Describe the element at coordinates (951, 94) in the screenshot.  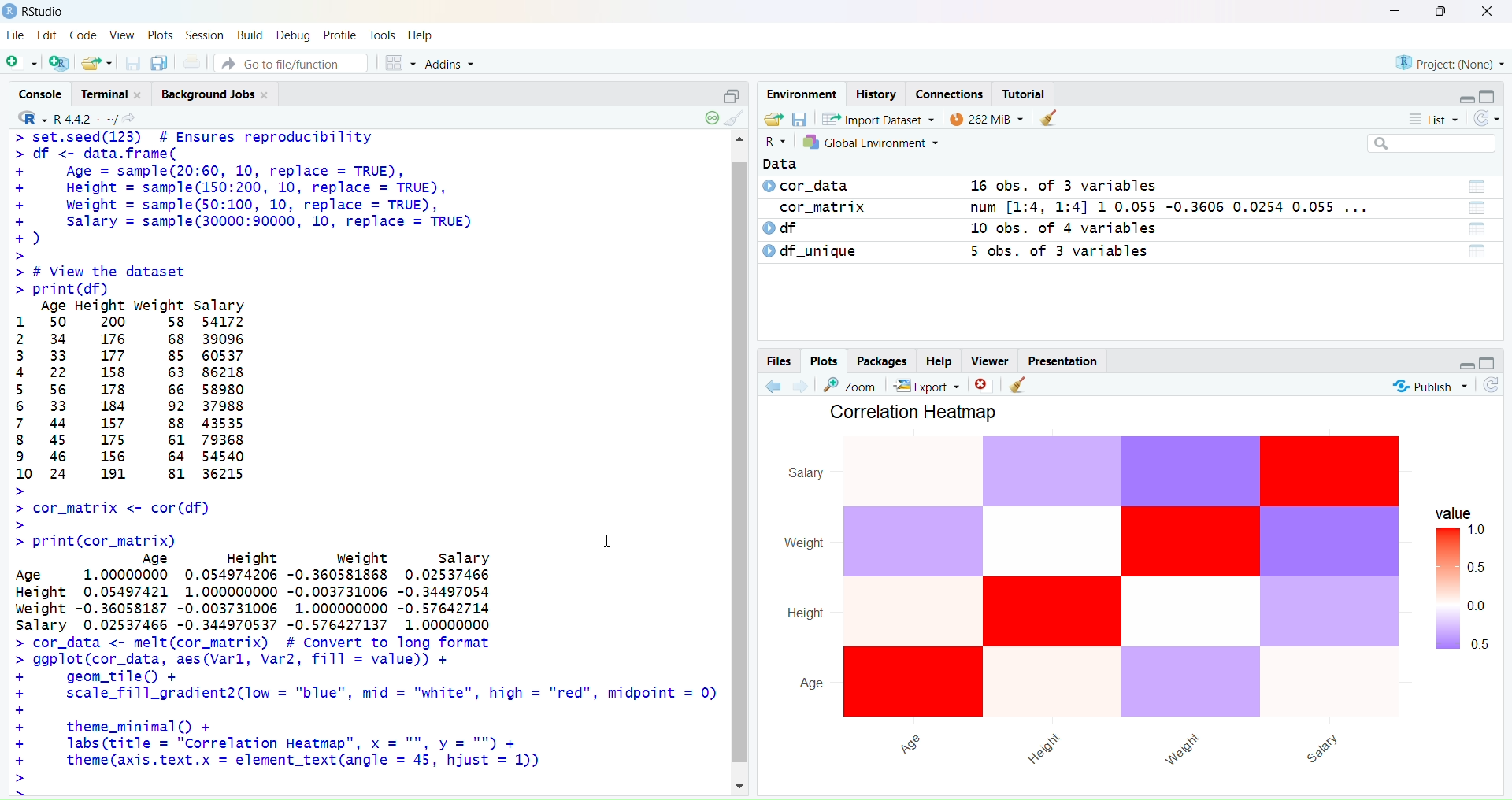
I see `Corrections` at that location.